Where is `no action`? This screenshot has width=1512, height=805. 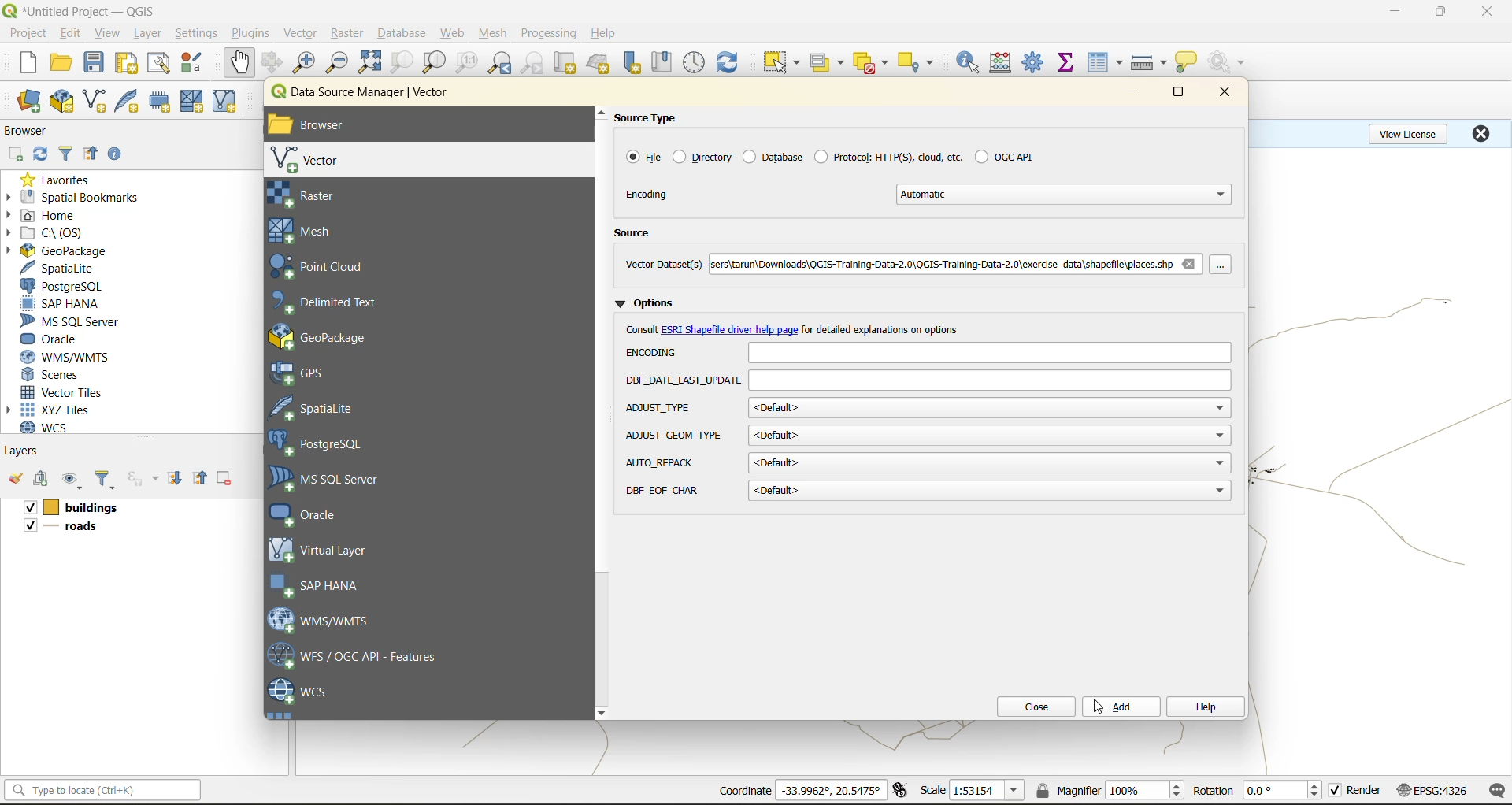
no action is located at coordinates (1229, 62).